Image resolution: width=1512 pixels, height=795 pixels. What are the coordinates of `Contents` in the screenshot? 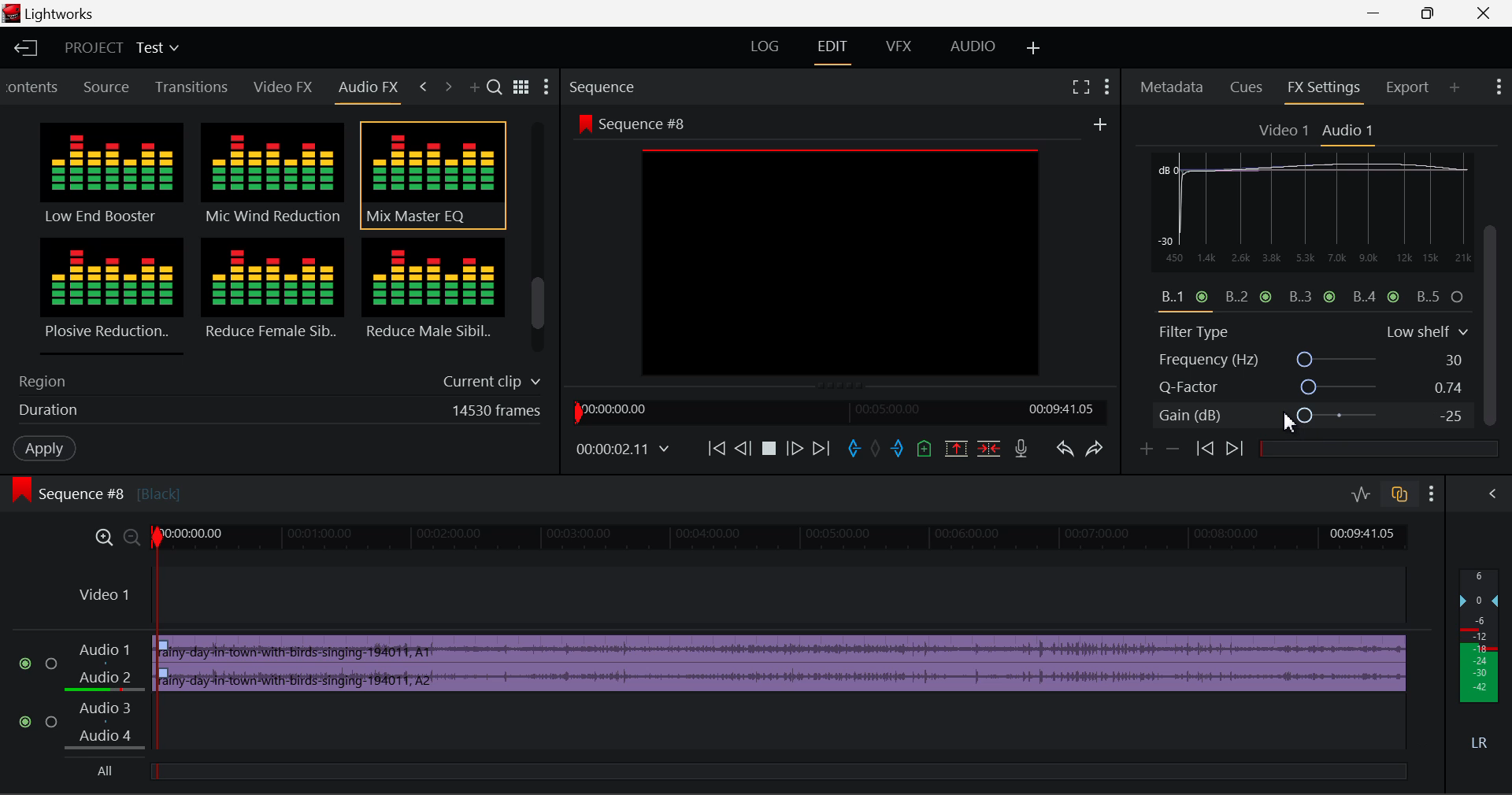 It's located at (34, 85).